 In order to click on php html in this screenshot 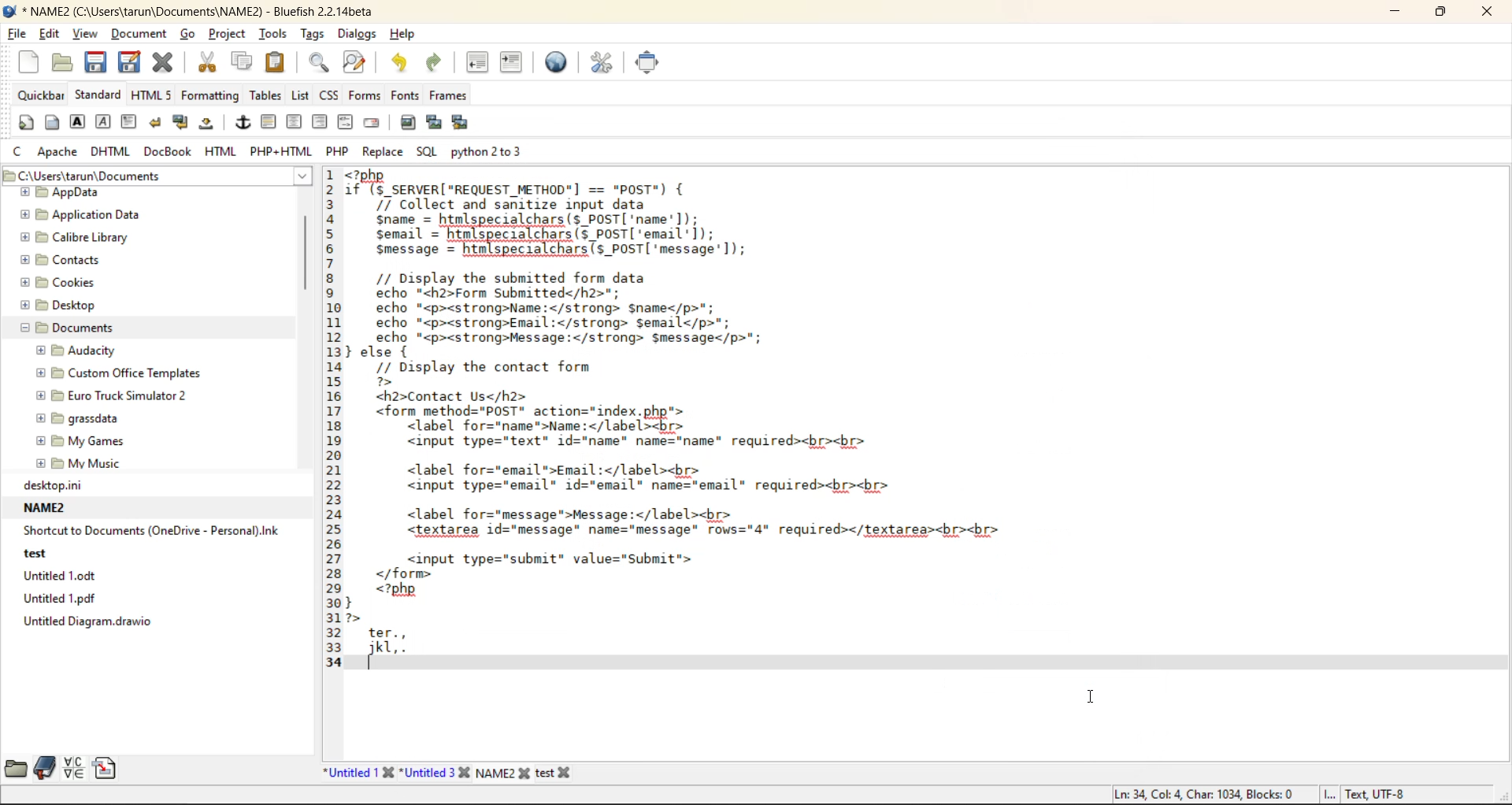, I will do `click(278, 150)`.